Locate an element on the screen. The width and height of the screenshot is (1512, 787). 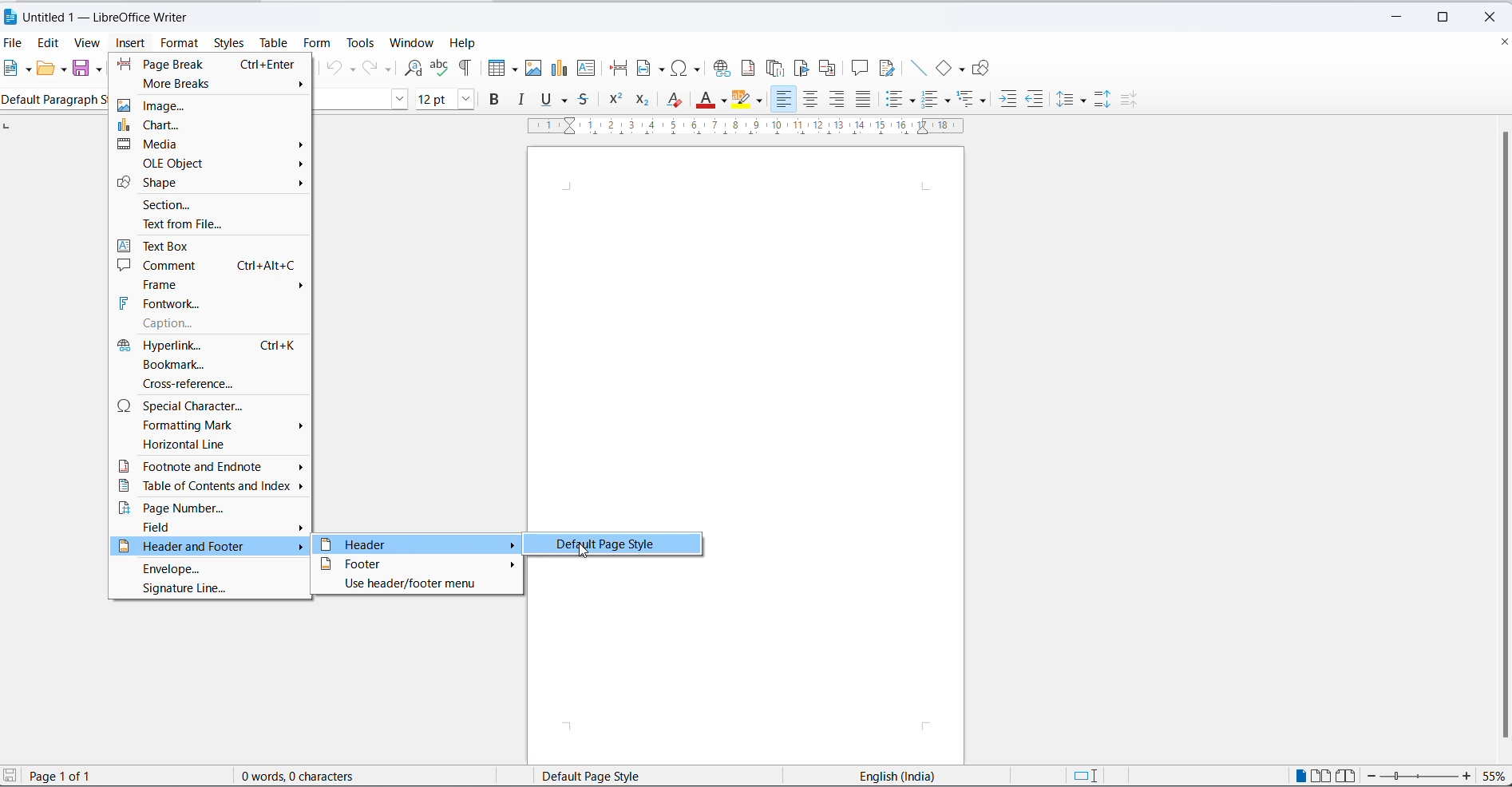
font color options is located at coordinates (726, 103).